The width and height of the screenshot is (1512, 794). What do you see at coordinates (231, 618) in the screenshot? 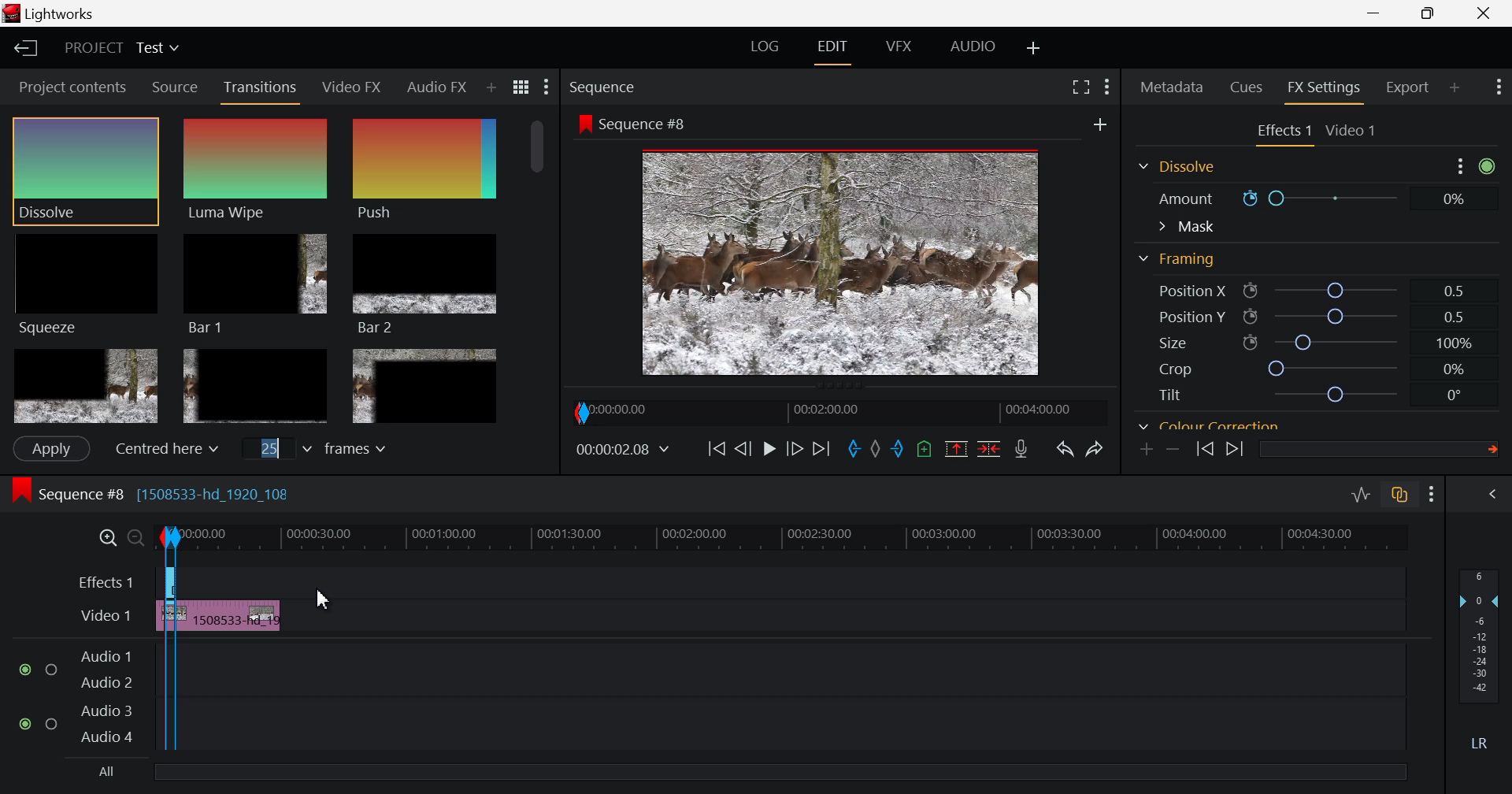
I see `Clip` at bounding box center [231, 618].